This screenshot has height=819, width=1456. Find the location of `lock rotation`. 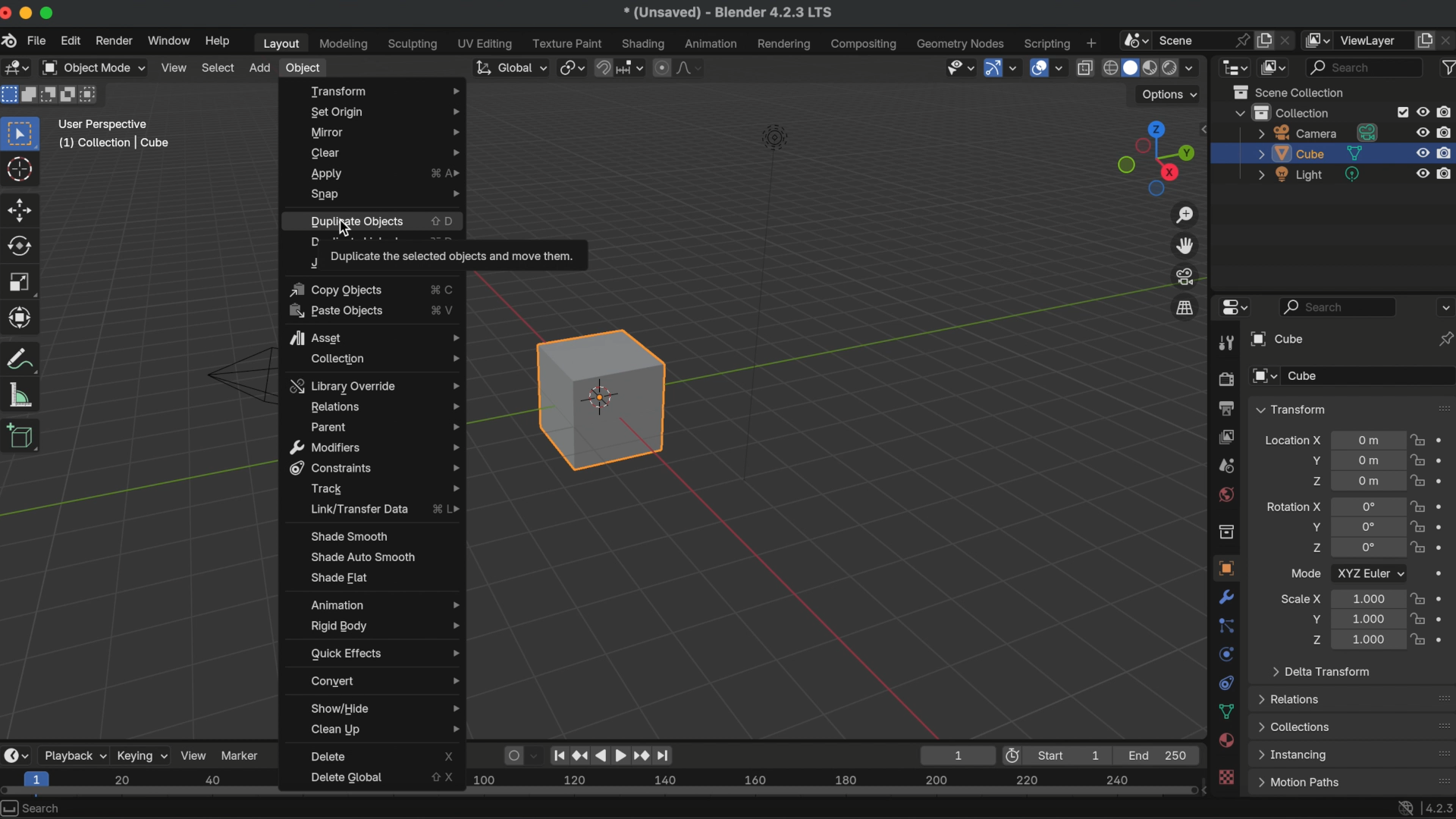

lock rotation is located at coordinates (1418, 506).